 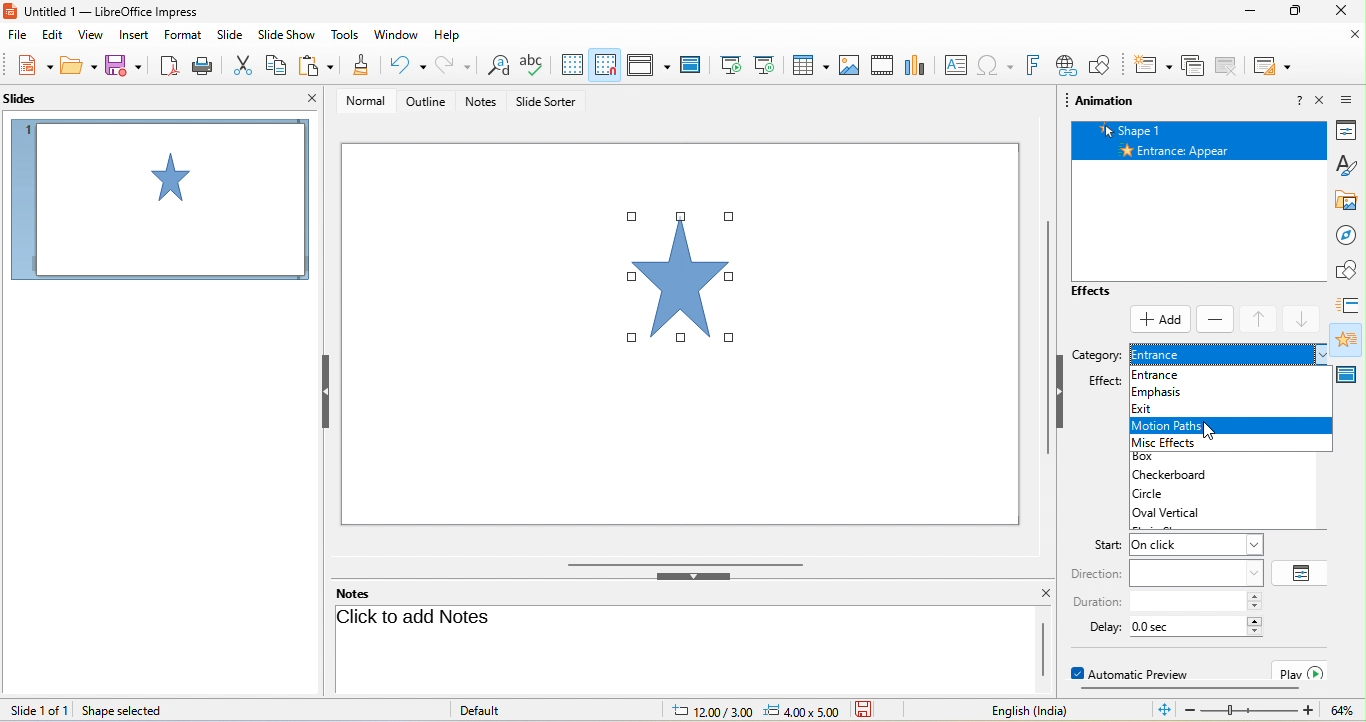 I want to click on automatic preview, so click(x=1135, y=673).